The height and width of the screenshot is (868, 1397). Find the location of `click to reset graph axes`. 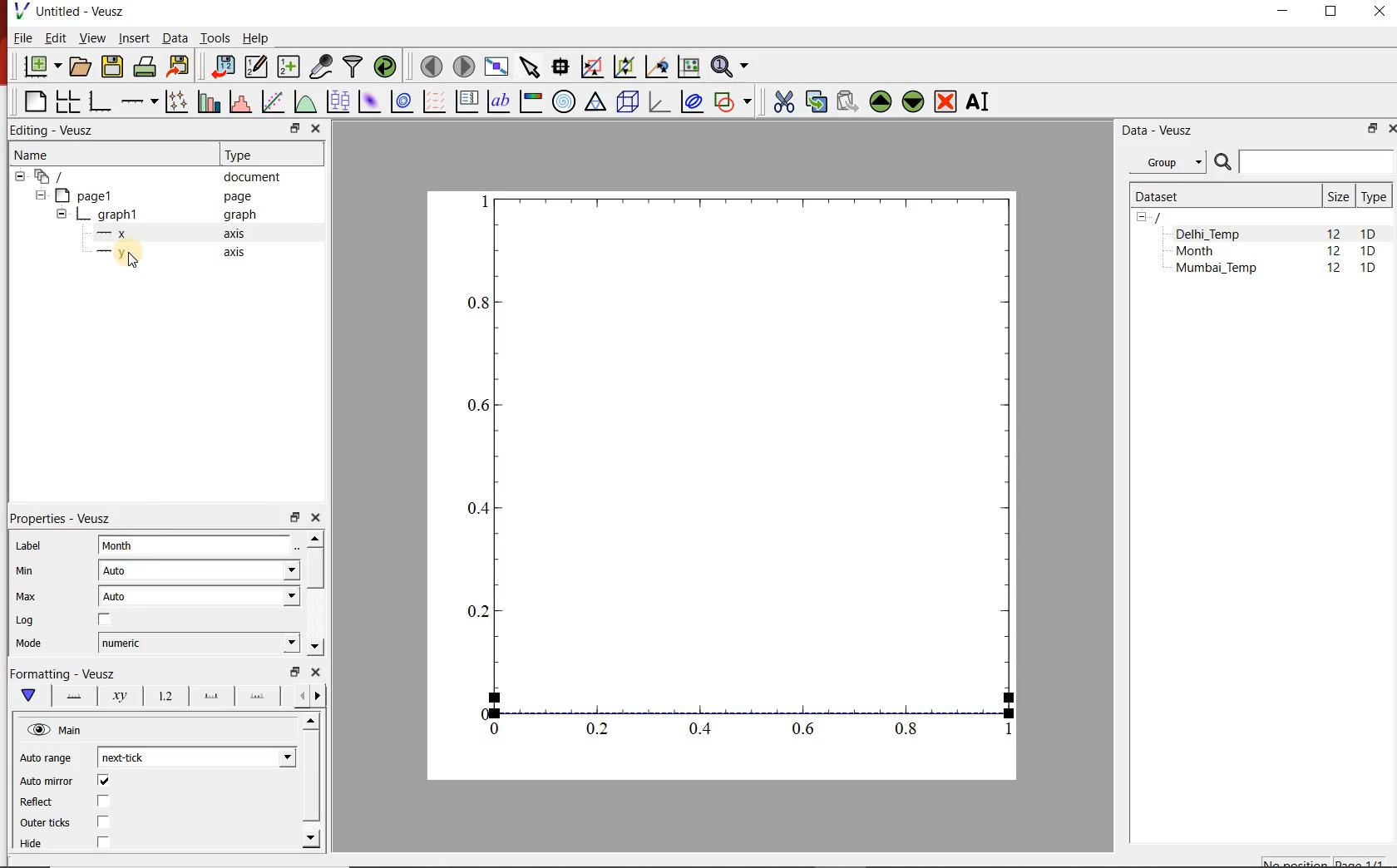

click to reset graph axes is located at coordinates (689, 67).